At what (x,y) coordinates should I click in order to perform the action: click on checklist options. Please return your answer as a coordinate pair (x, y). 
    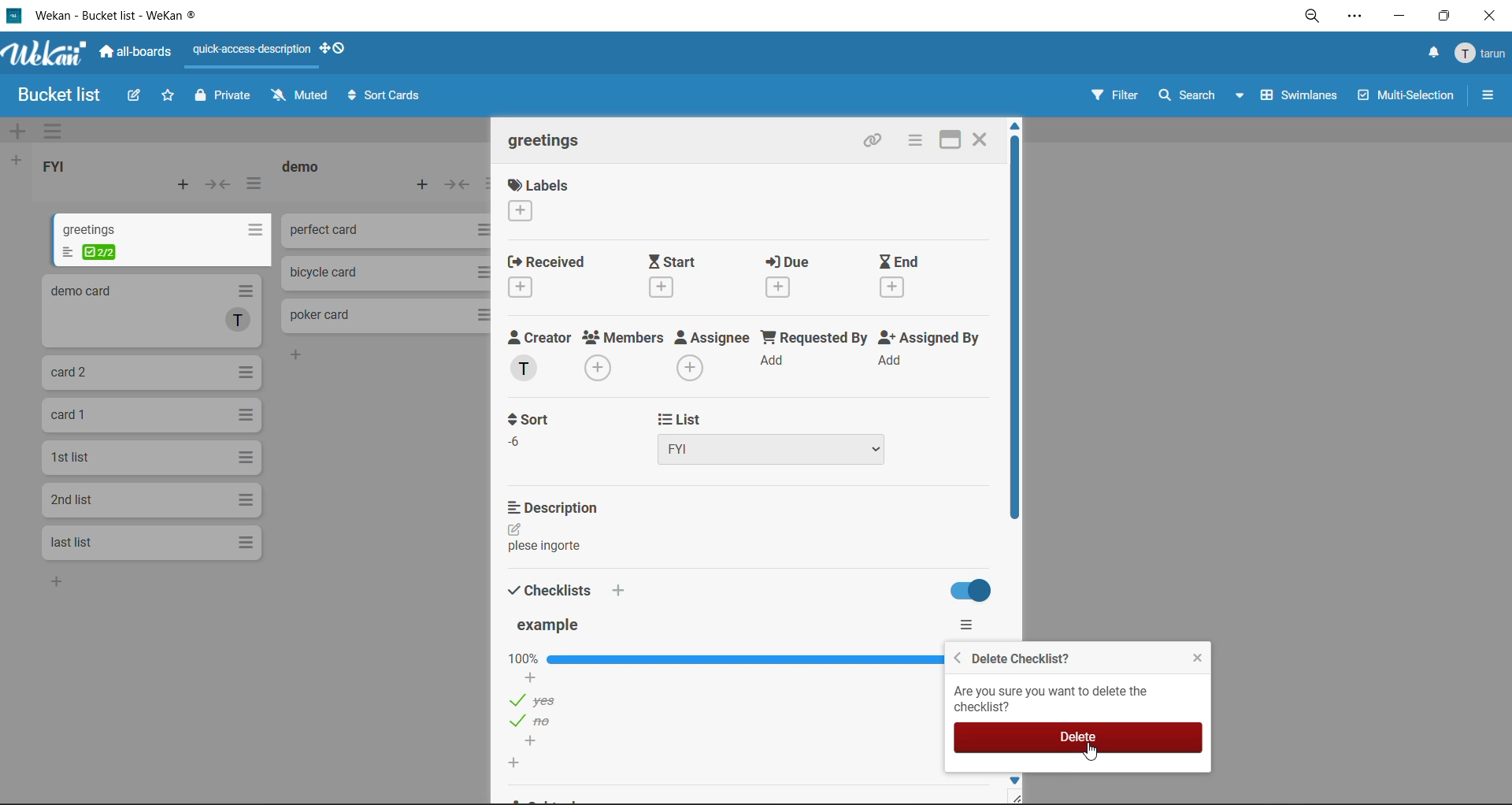
    Looking at the image, I should click on (536, 722).